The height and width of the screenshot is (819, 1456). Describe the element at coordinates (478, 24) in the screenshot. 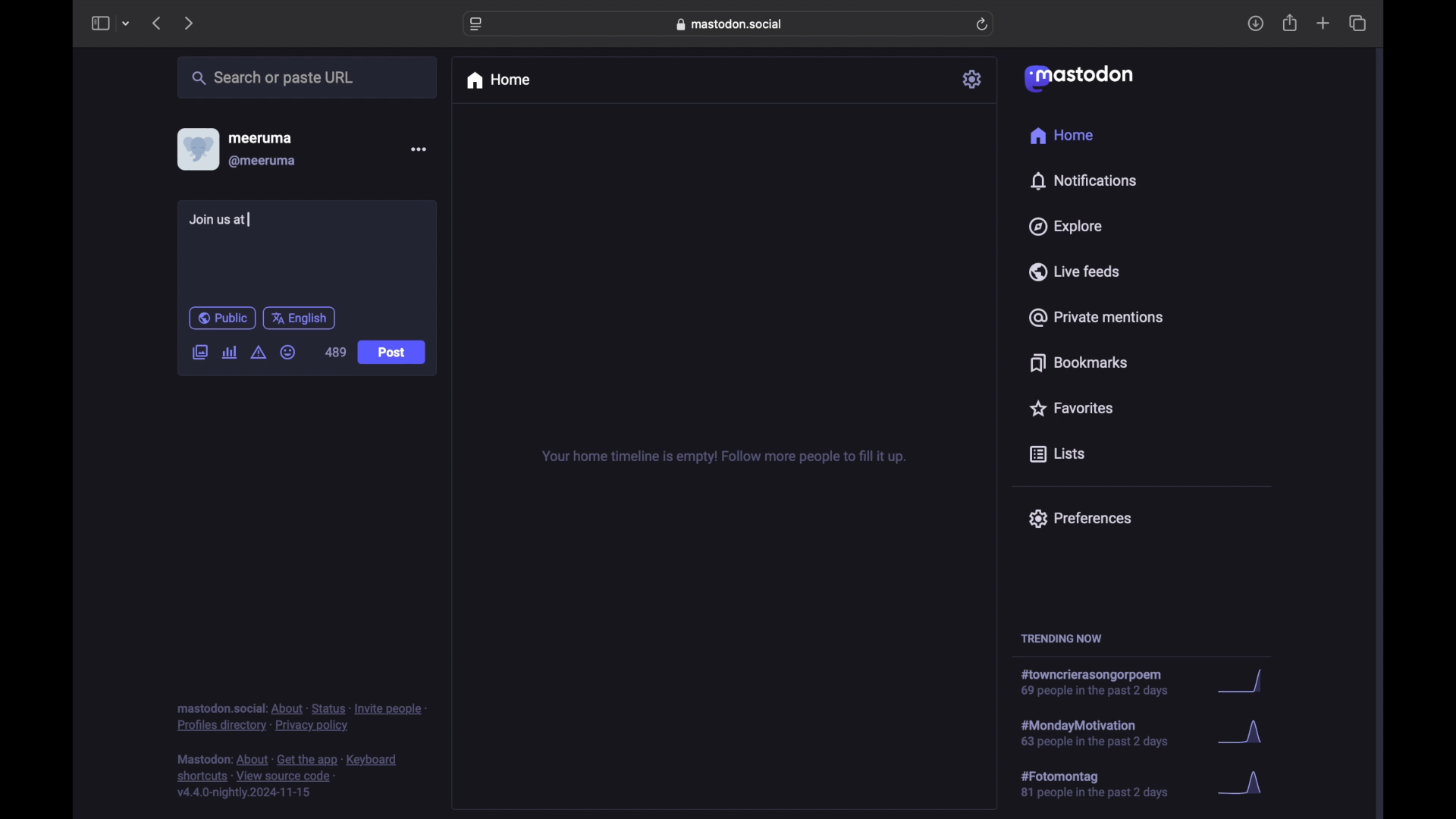

I see `website settings` at that location.